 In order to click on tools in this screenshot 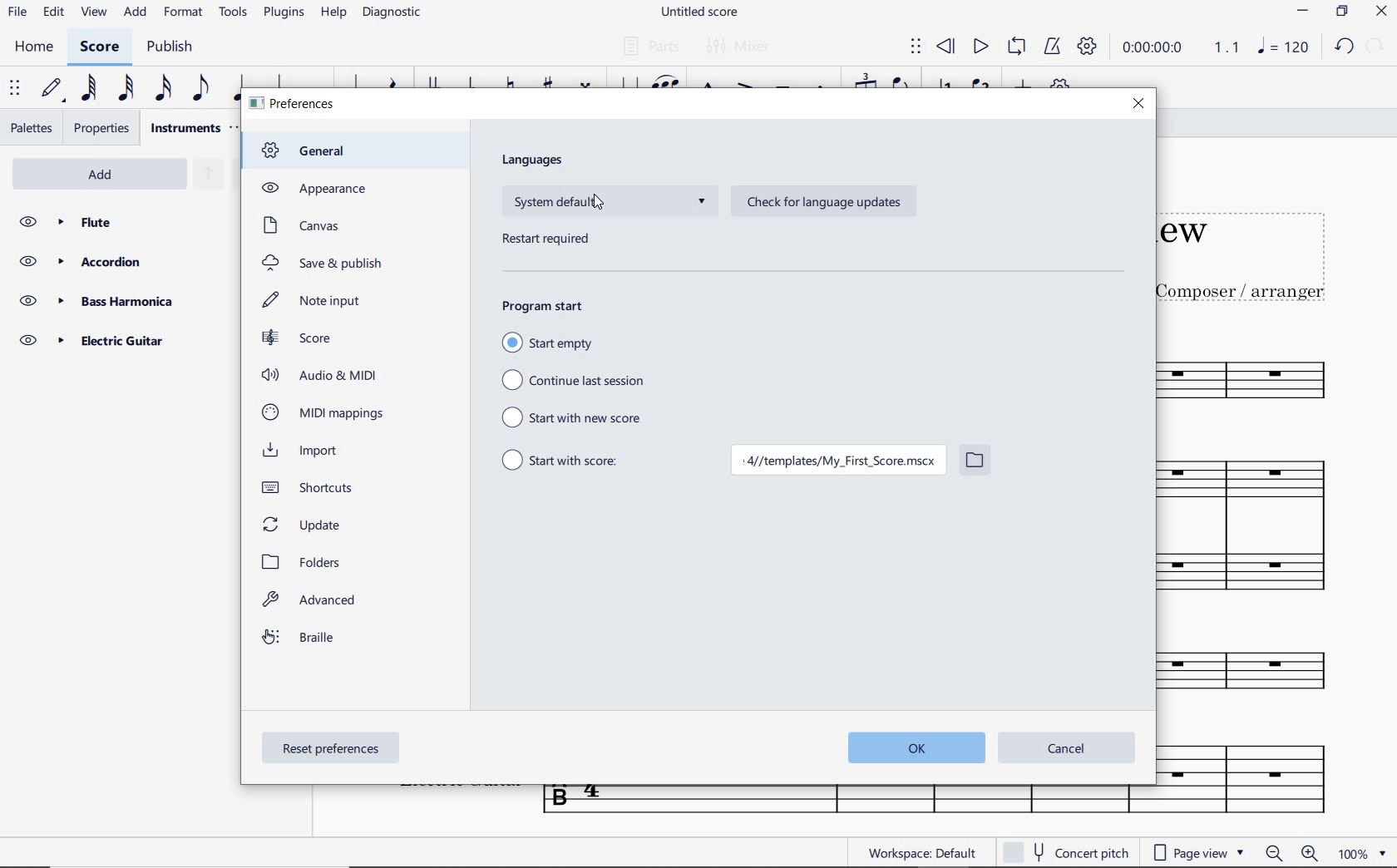, I will do `click(236, 16)`.